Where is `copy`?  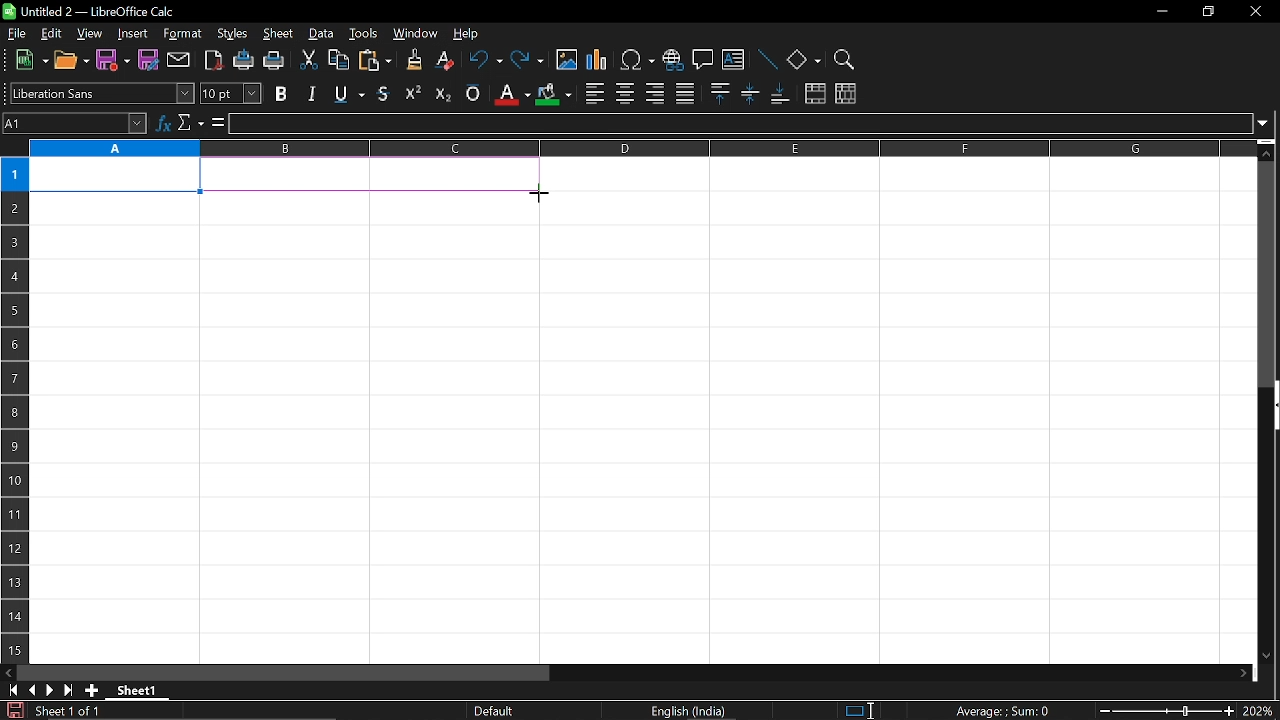 copy is located at coordinates (339, 60).